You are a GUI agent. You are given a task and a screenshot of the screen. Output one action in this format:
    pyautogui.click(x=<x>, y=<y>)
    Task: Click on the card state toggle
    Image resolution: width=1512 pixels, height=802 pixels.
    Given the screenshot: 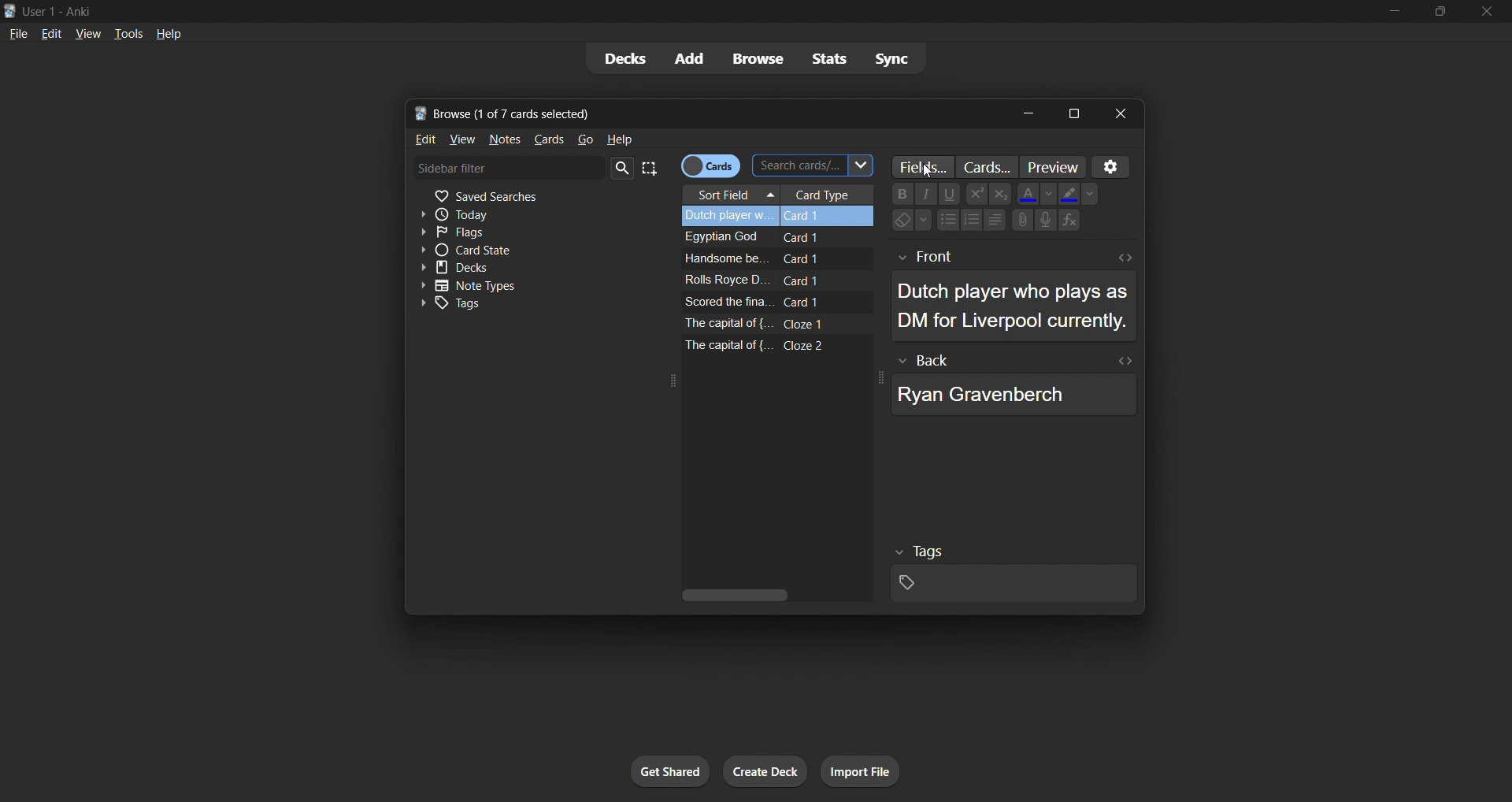 What is the action you would take?
    pyautogui.click(x=510, y=250)
    